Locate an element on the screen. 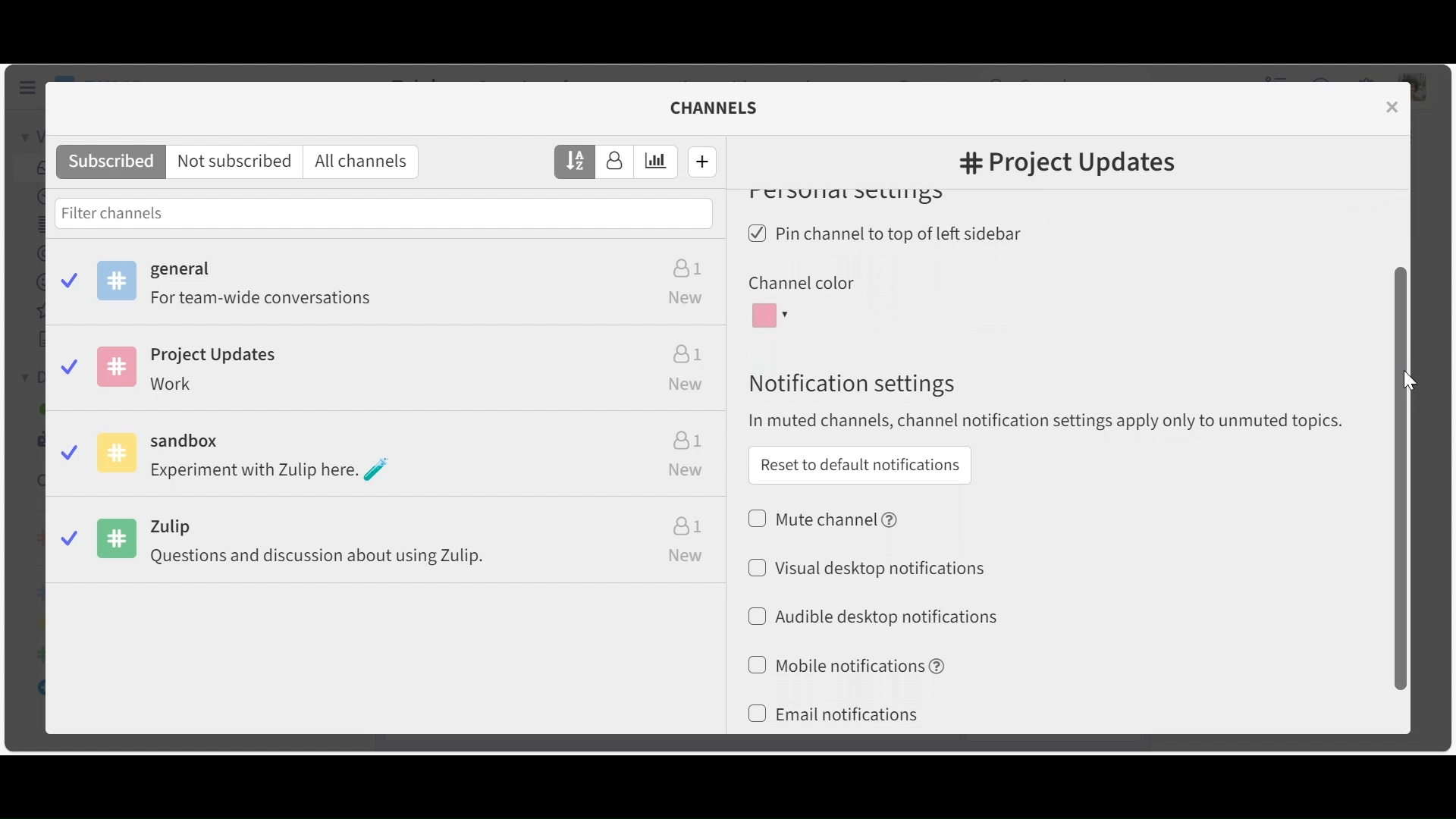 The image size is (1456, 819). Create new channel is located at coordinates (703, 161).